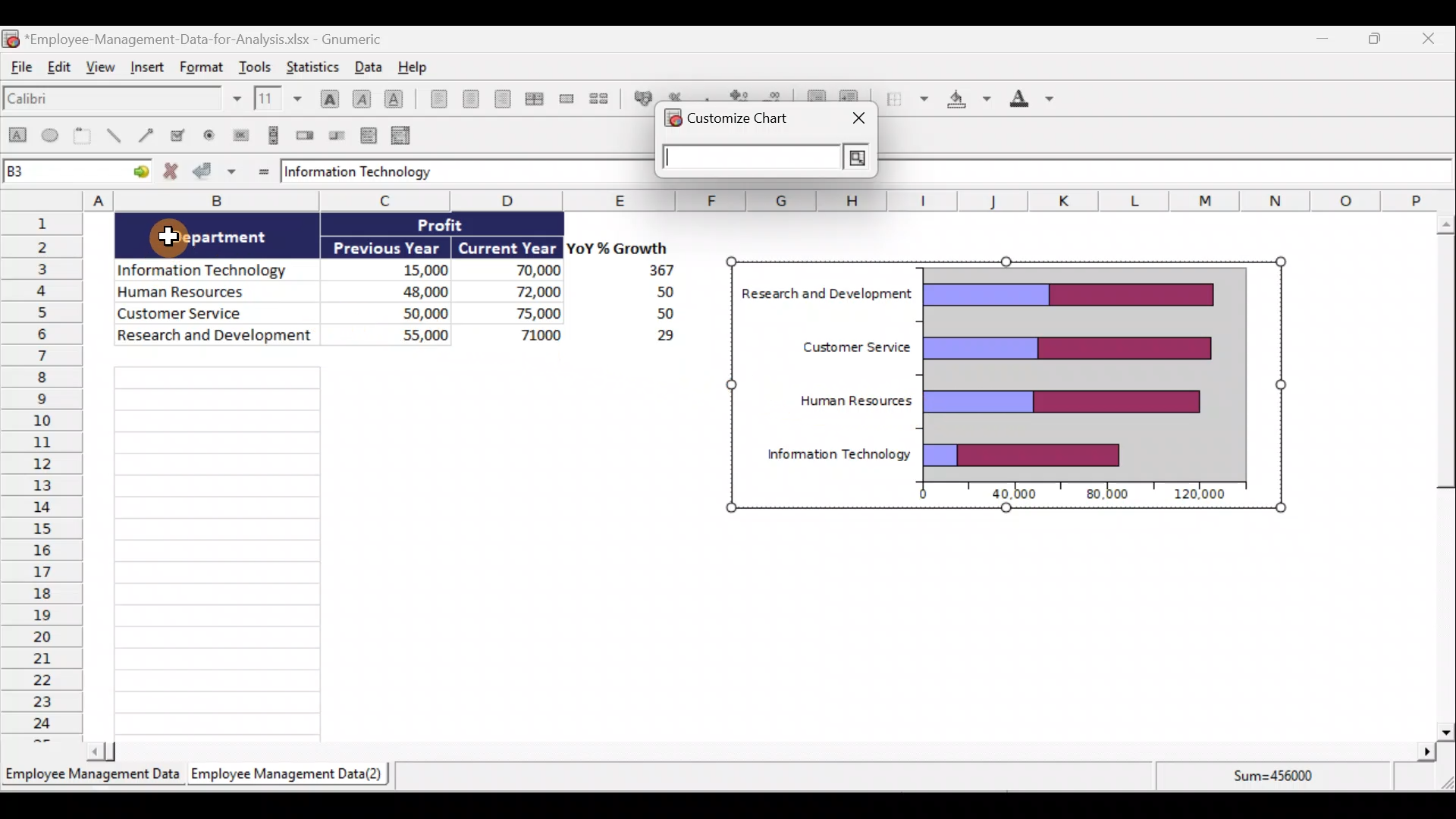  What do you see at coordinates (149, 72) in the screenshot?
I see `Insert` at bounding box center [149, 72].